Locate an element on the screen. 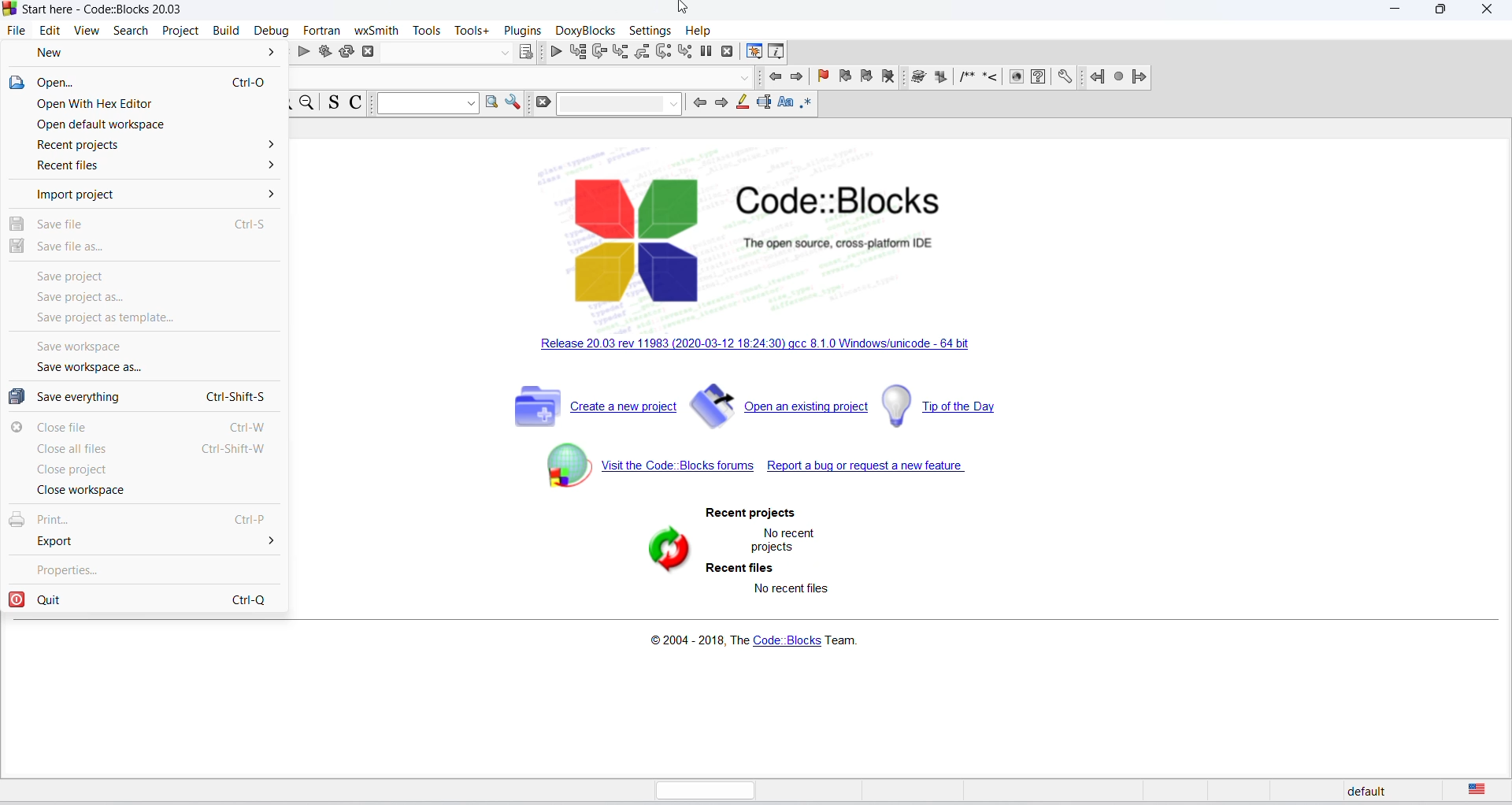 The width and height of the screenshot is (1512, 805). search is located at coordinates (133, 31).